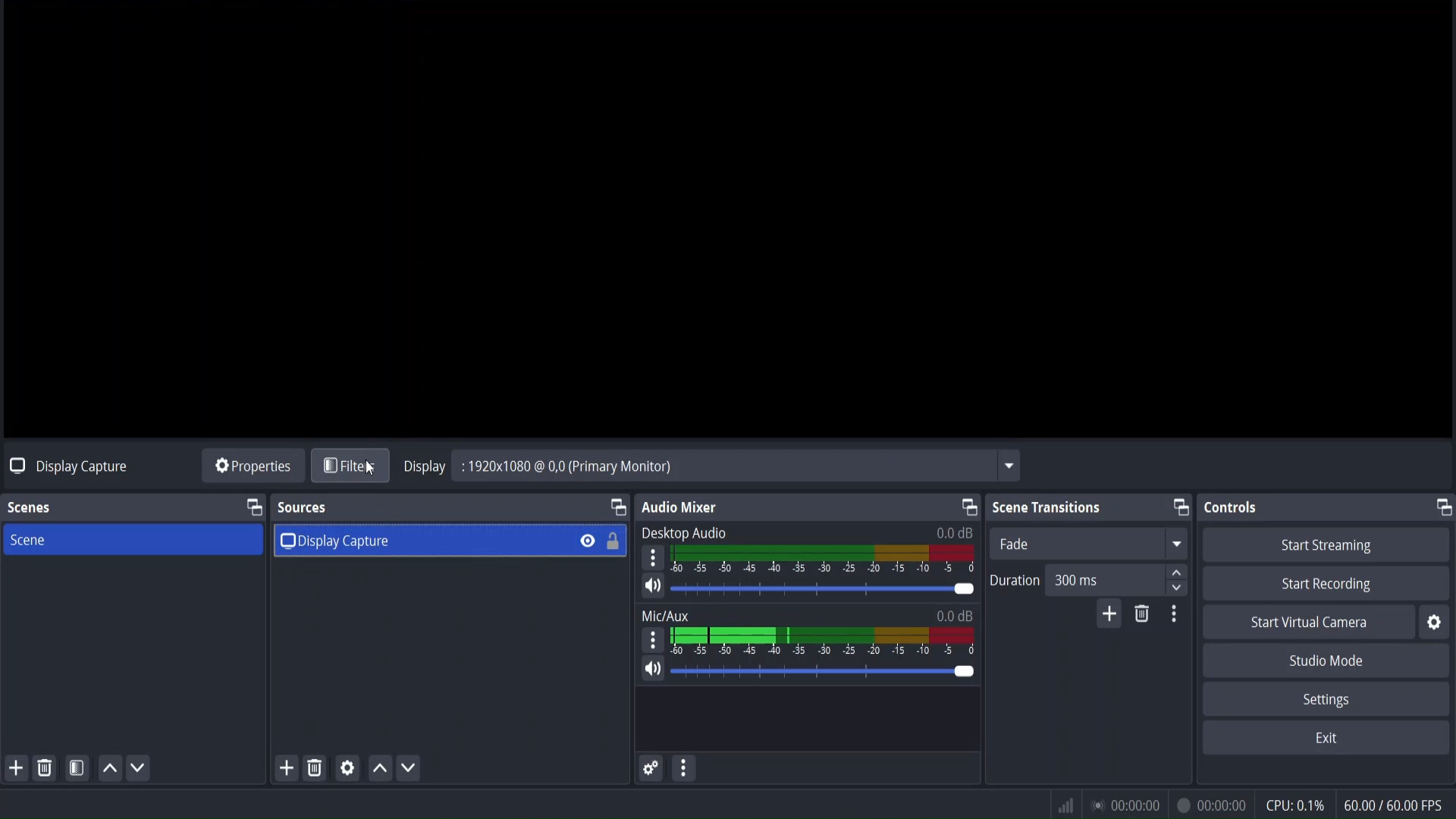 Image resolution: width=1456 pixels, height=819 pixels. What do you see at coordinates (1179, 508) in the screenshot?
I see `change tab layout` at bounding box center [1179, 508].